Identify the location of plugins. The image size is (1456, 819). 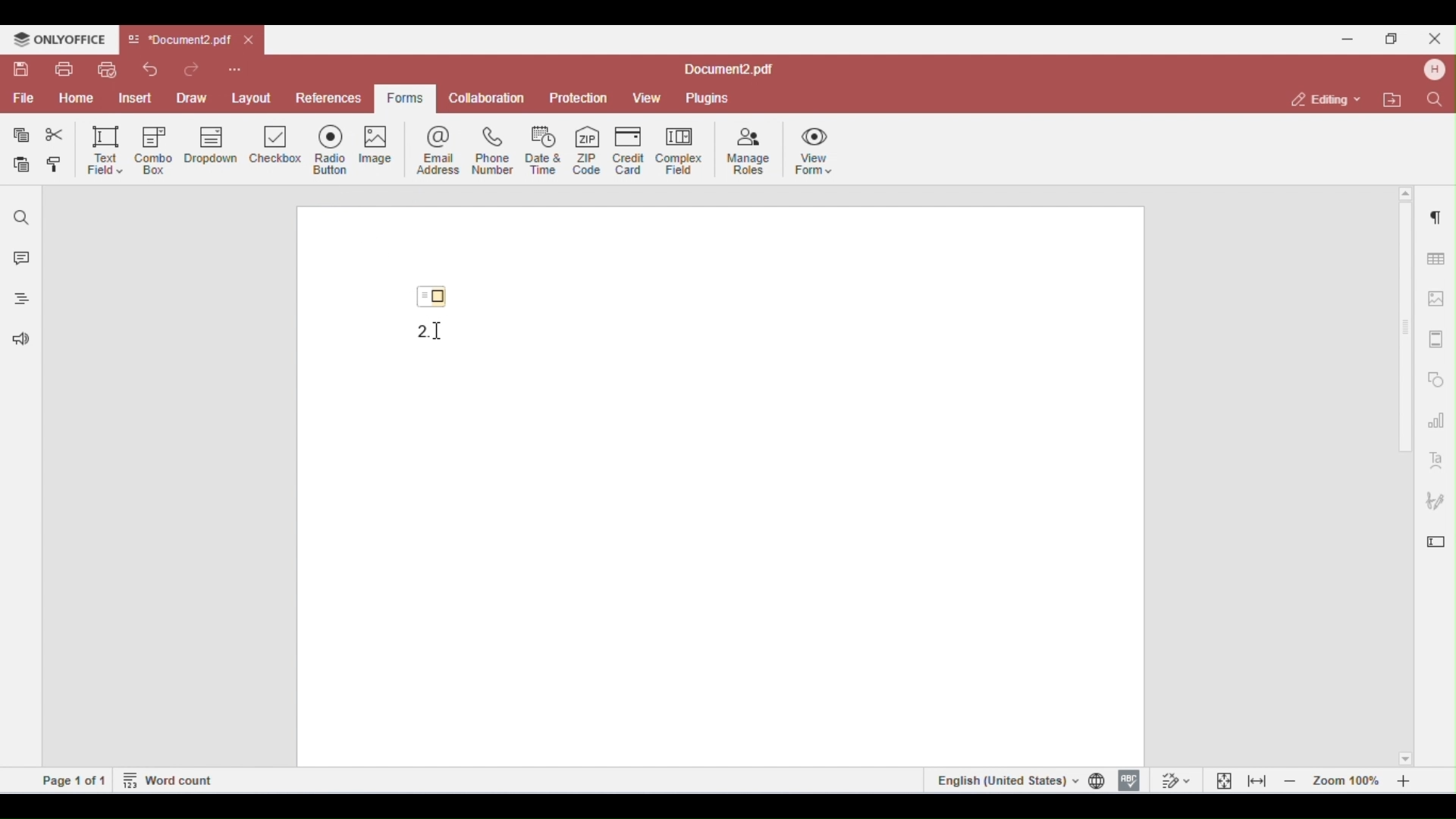
(706, 99).